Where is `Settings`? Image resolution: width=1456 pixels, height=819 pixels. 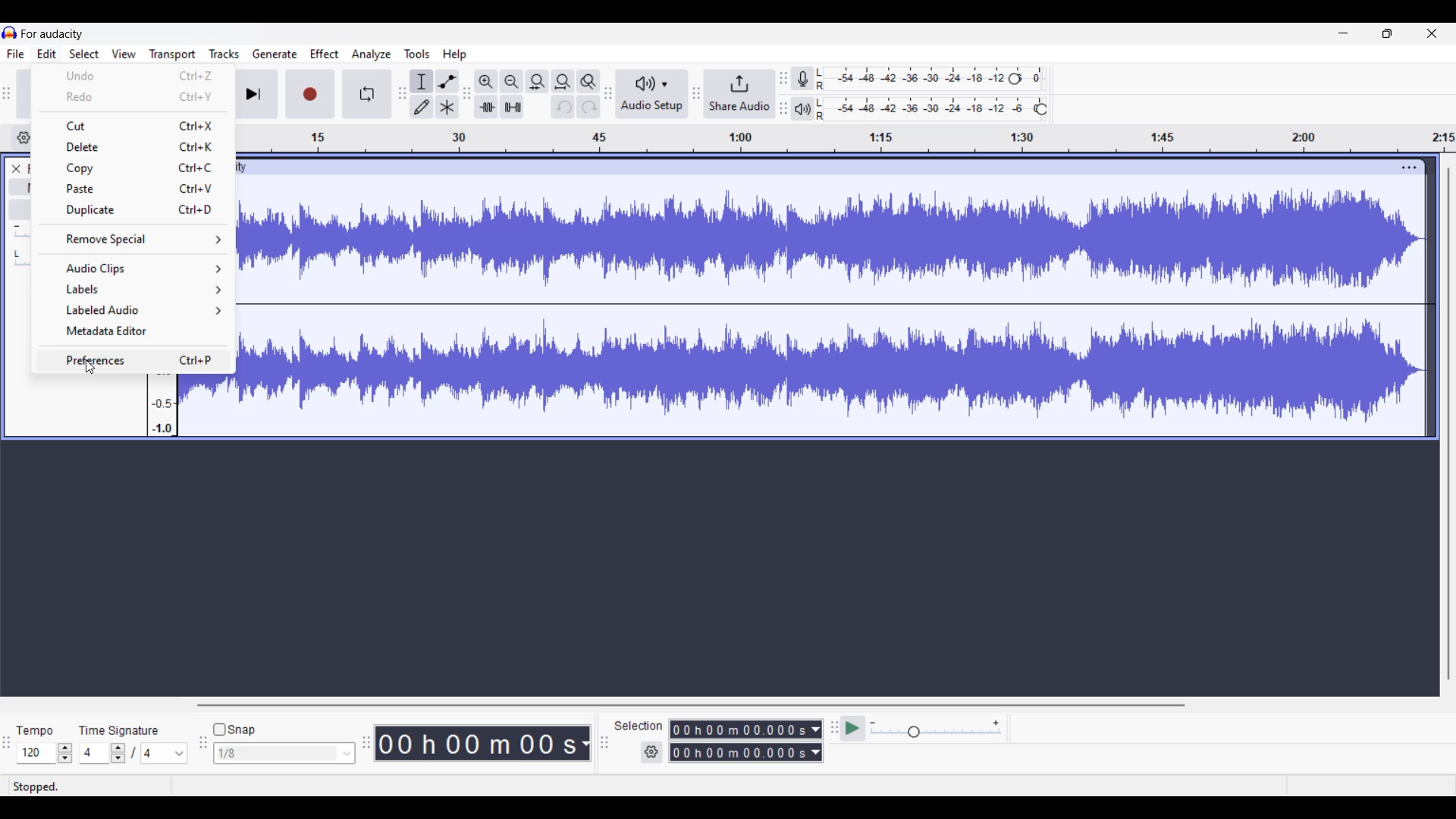 Settings is located at coordinates (651, 752).